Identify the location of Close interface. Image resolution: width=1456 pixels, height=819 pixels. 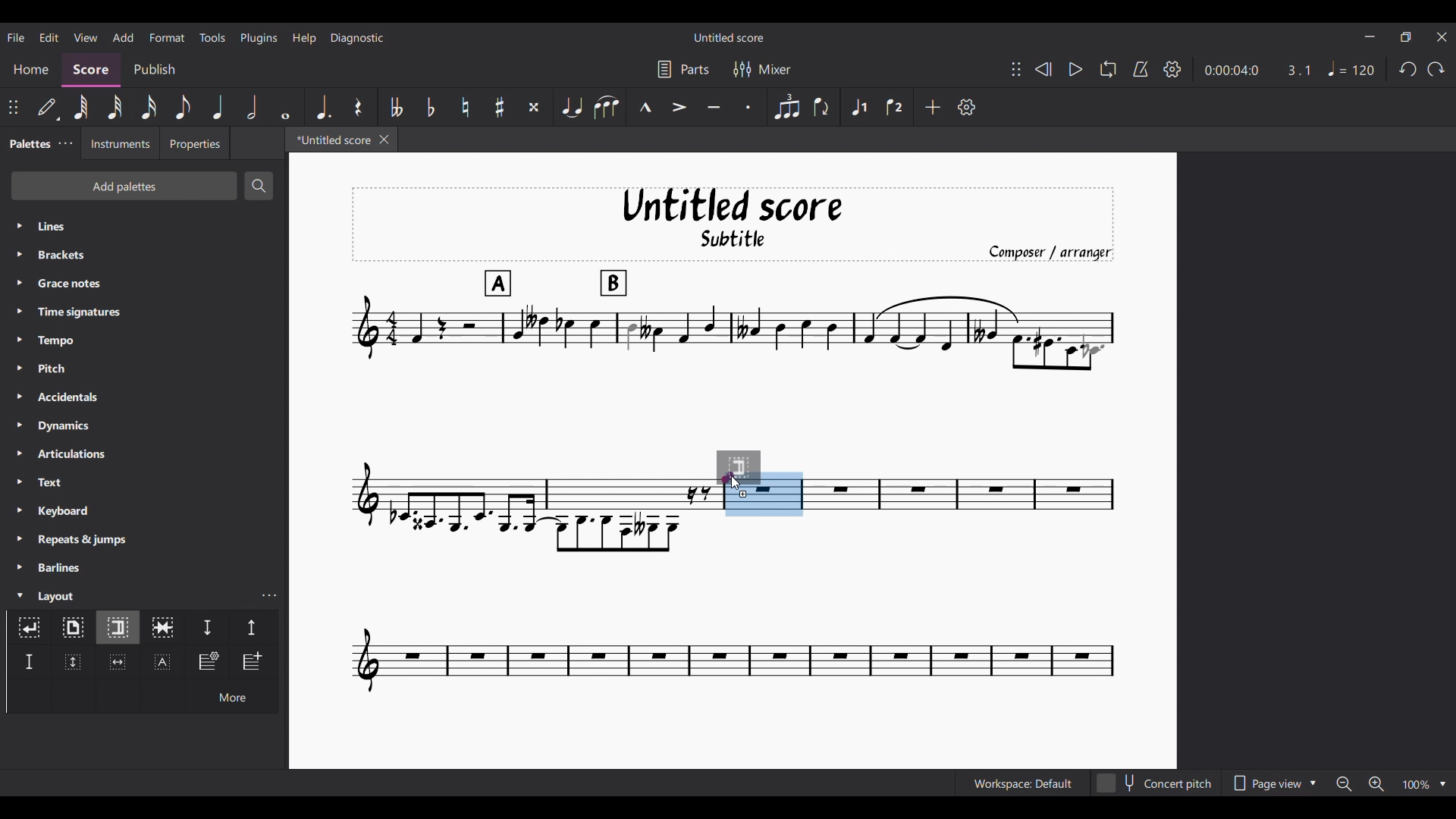
(1442, 37).